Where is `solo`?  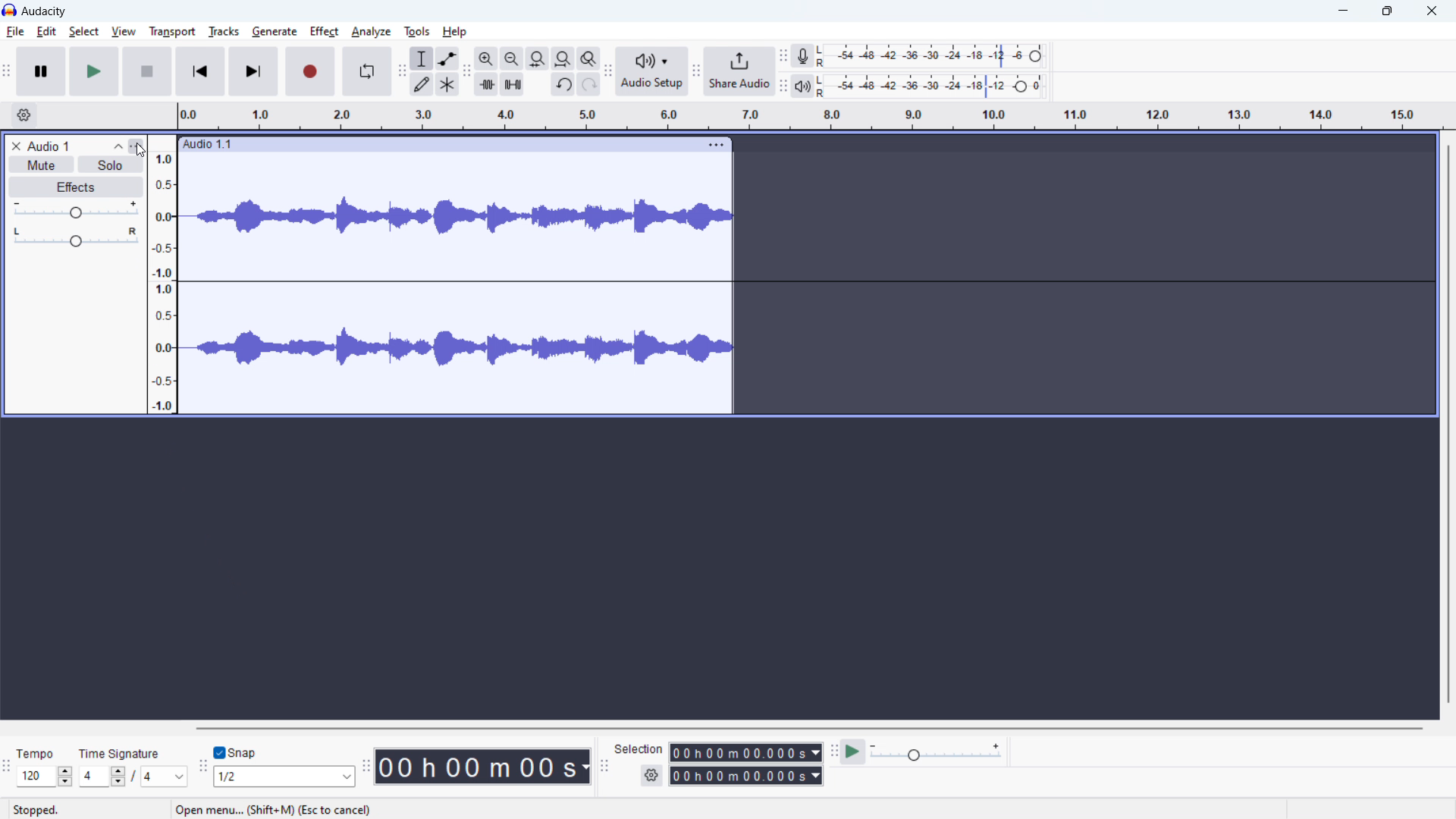
solo is located at coordinates (110, 164).